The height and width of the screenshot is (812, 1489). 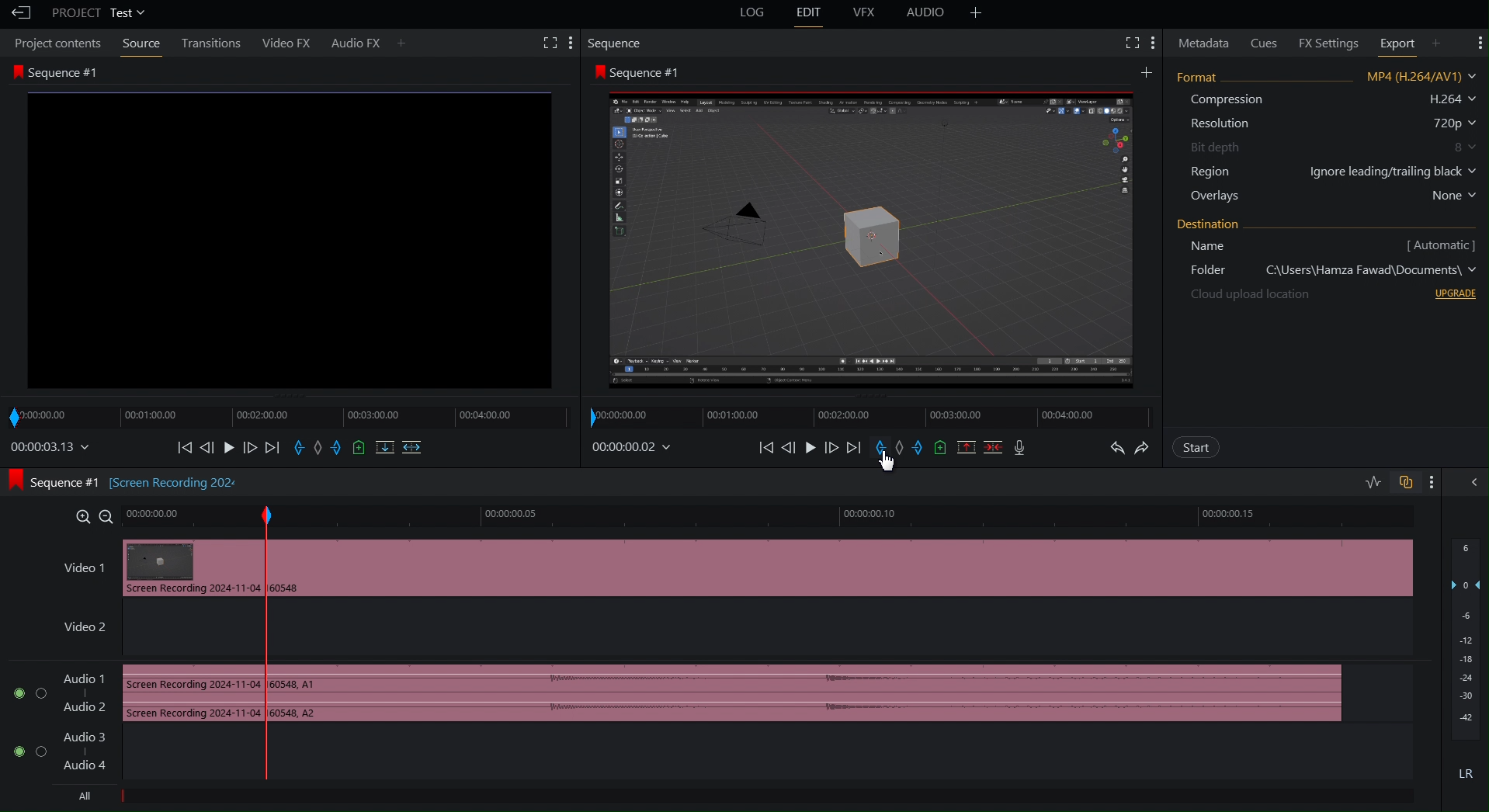 What do you see at coordinates (368, 42) in the screenshot?
I see `Audio FX` at bounding box center [368, 42].